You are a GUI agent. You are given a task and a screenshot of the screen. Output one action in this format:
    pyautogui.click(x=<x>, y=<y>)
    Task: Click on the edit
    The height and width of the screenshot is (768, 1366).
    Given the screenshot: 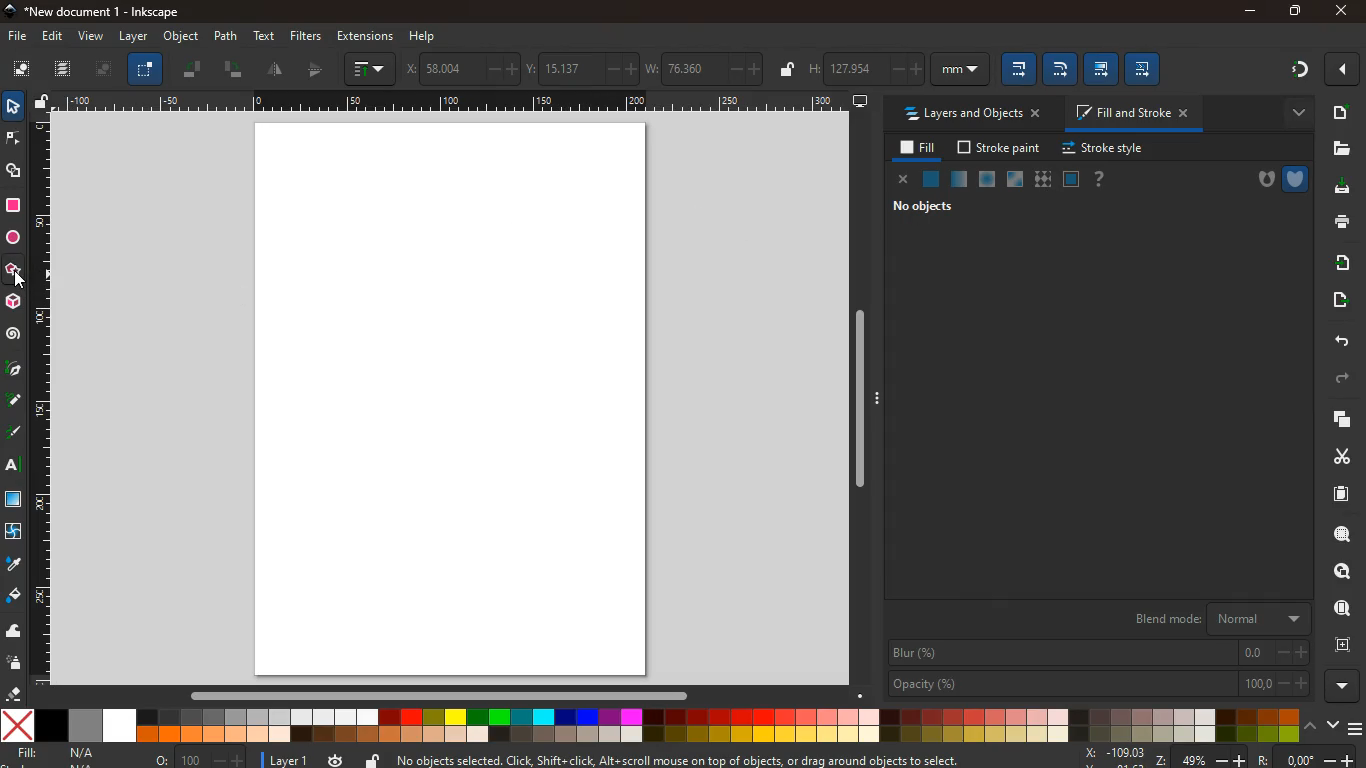 What is the action you would take?
    pyautogui.click(x=1101, y=70)
    